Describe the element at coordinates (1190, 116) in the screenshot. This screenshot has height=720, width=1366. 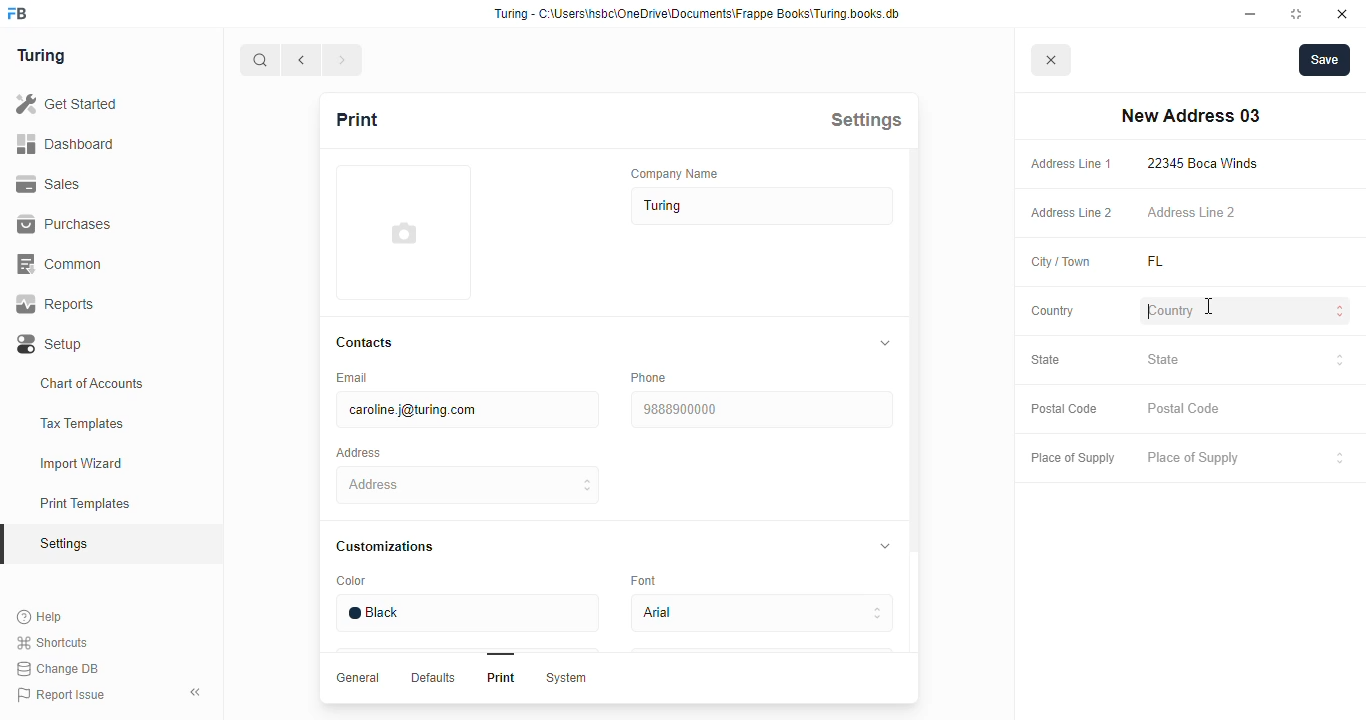
I see `new address 03` at that location.